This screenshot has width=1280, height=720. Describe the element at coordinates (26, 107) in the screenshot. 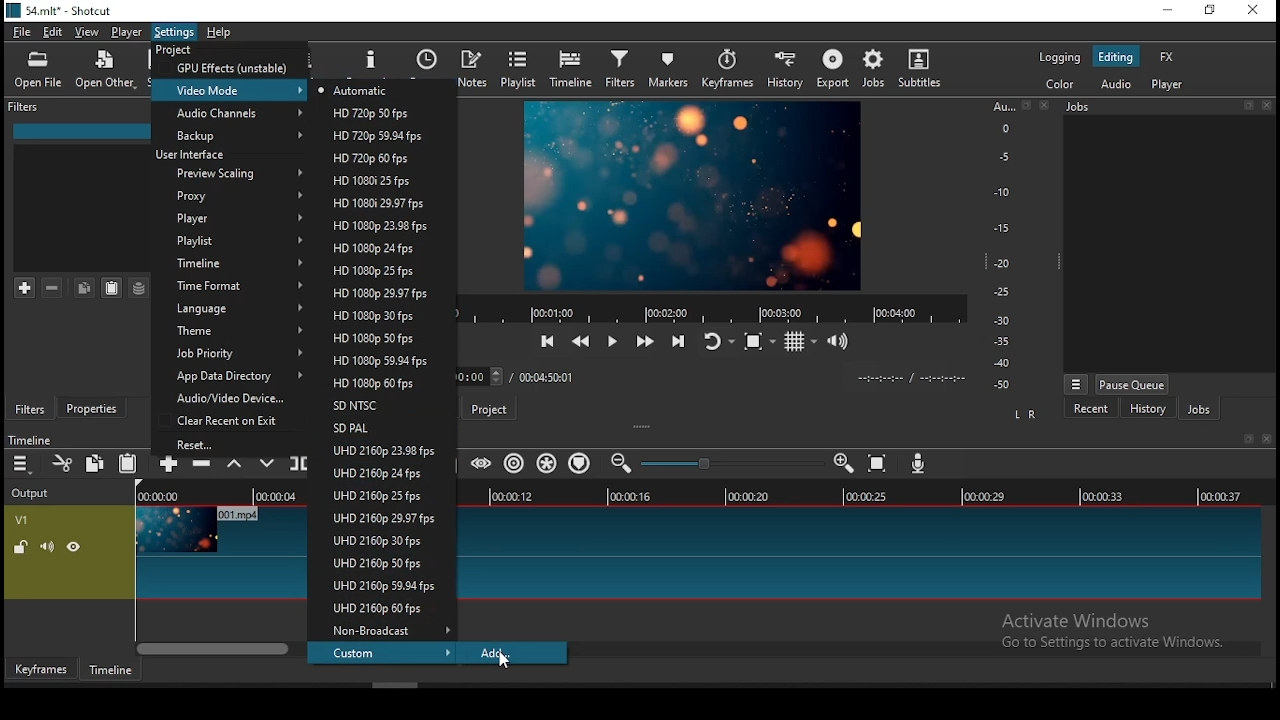

I see `Filter` at that location.